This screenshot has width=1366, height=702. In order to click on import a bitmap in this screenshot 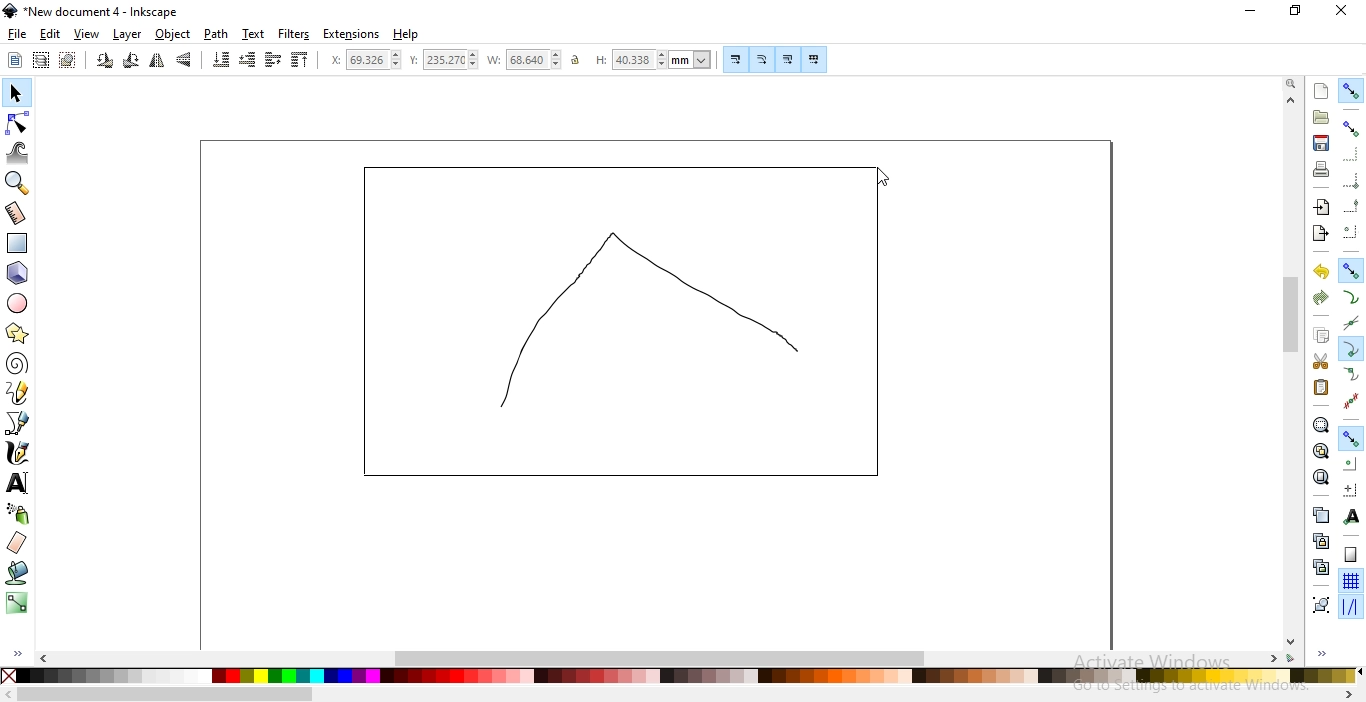, I will do `click(1322, 207)`.